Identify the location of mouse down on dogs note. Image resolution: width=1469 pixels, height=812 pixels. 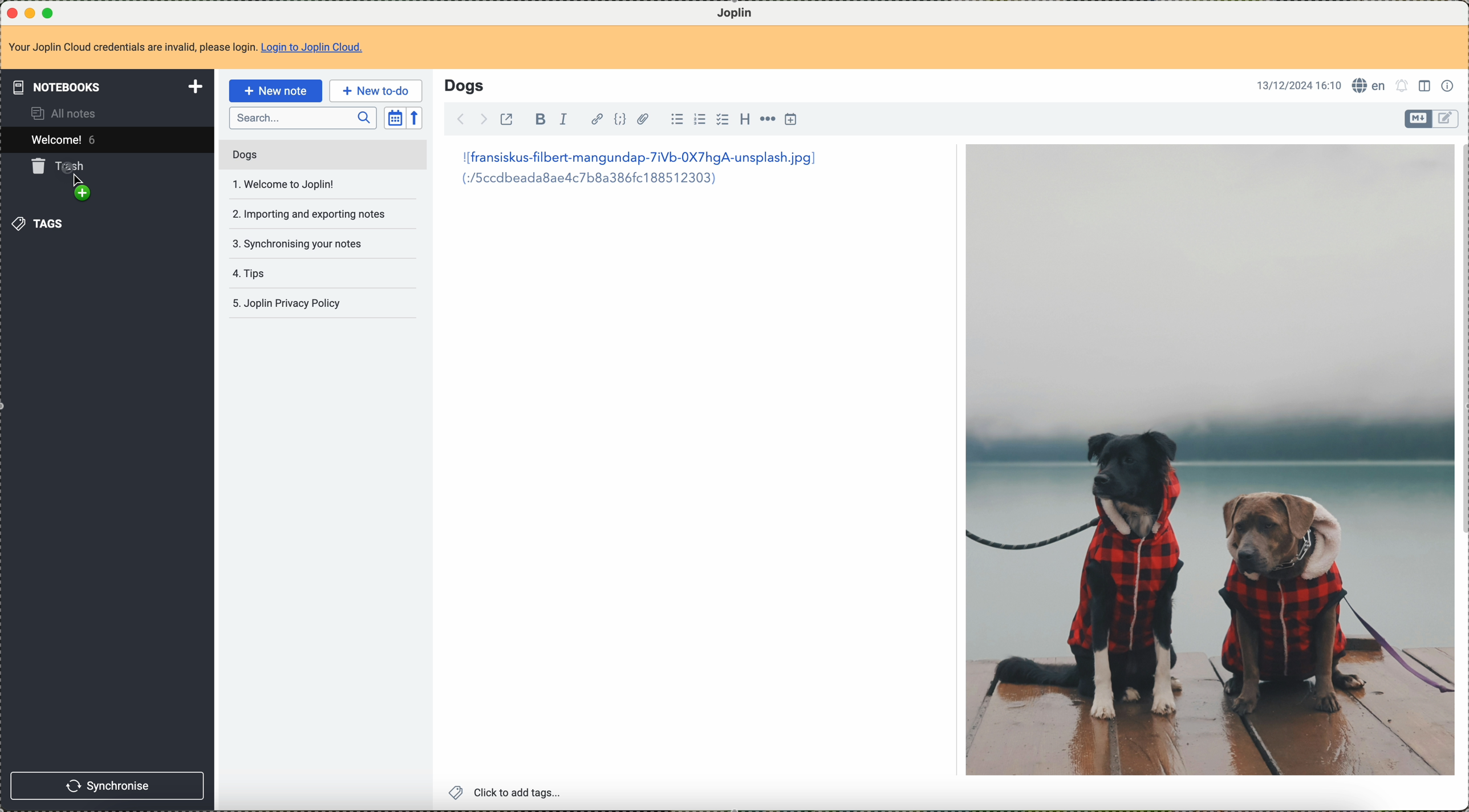
(328, 153).